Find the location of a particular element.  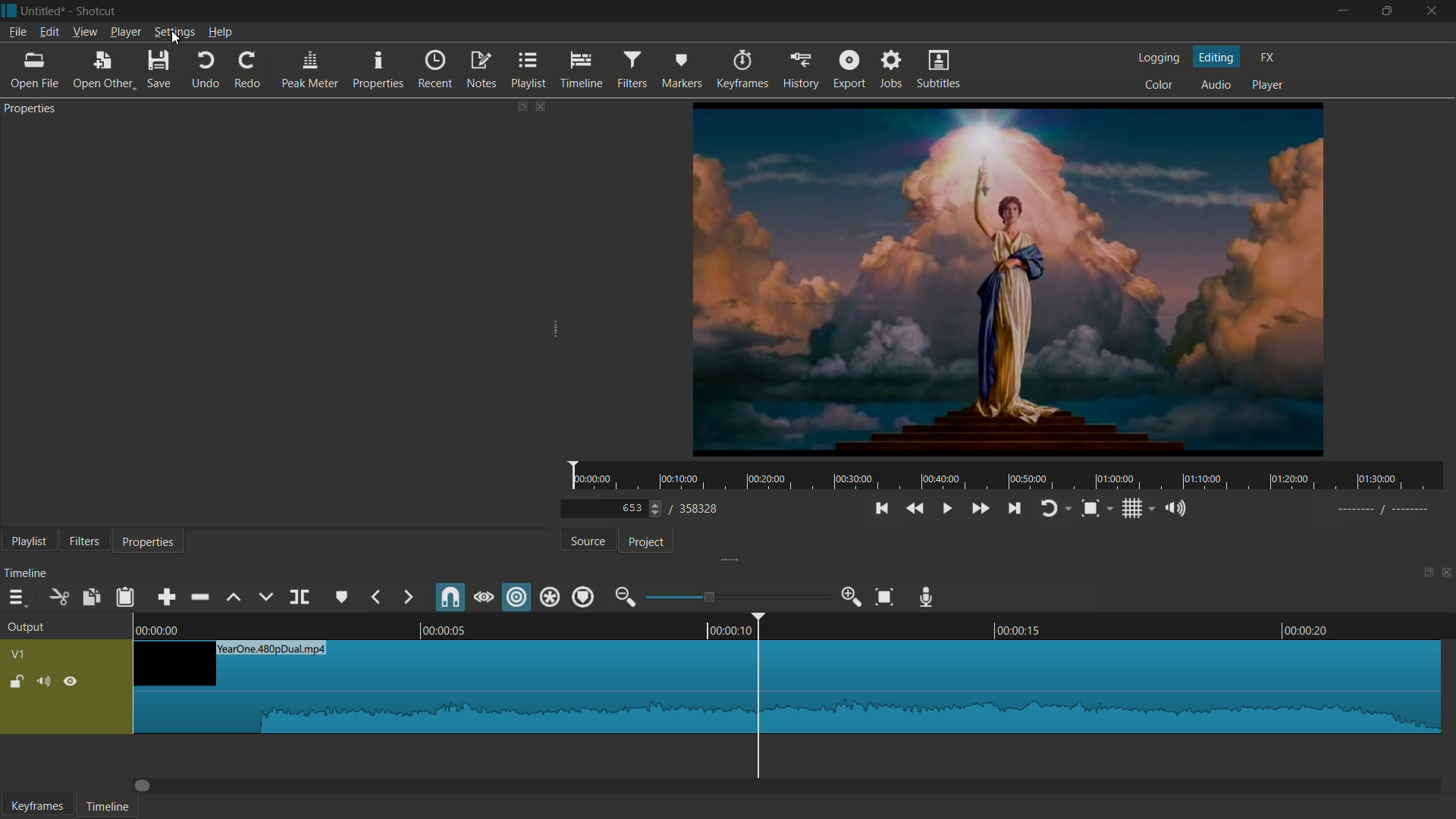

quickly play forward is located at coordinates (981, 509).